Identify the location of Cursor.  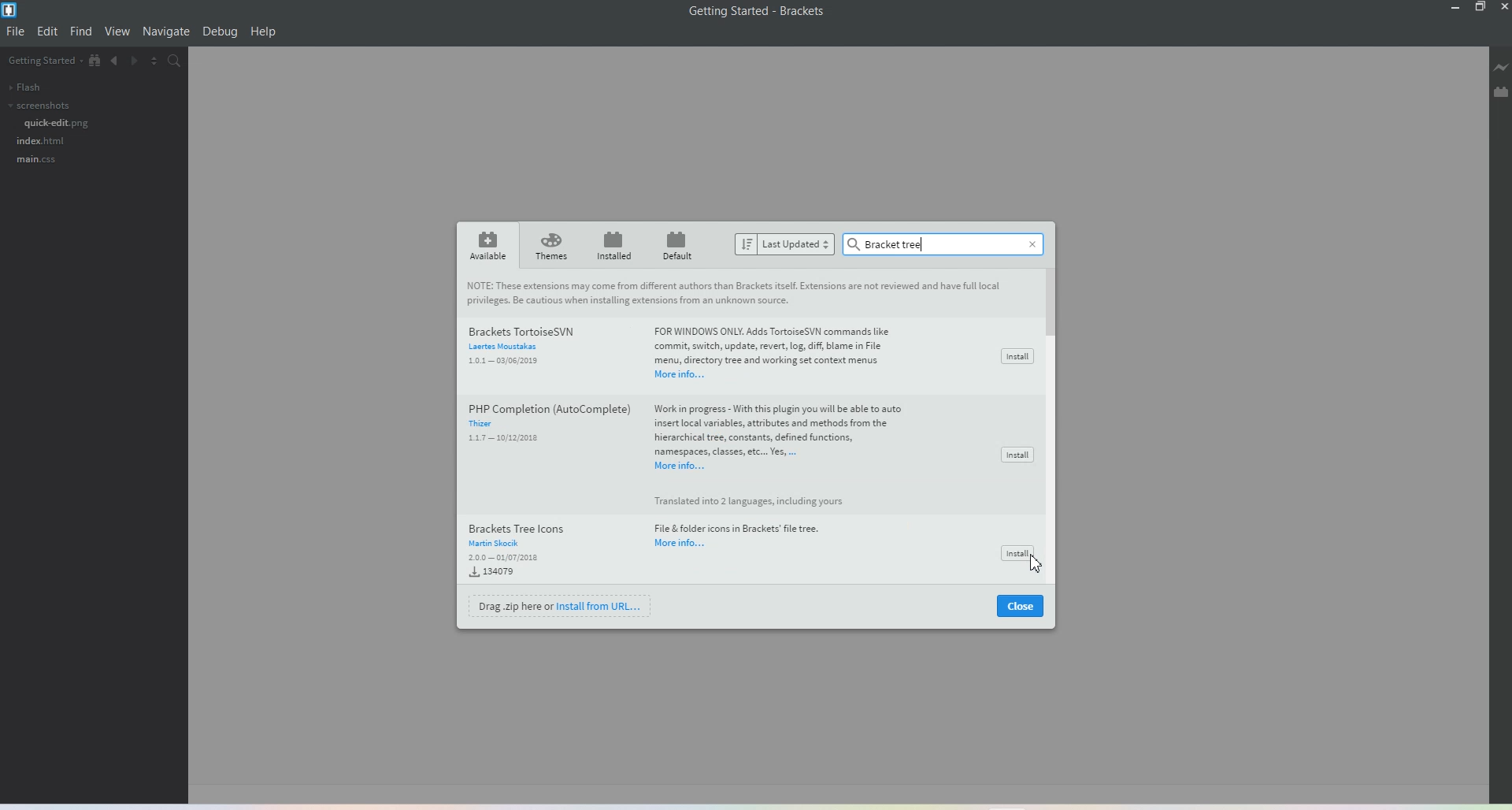
(1032, 567).